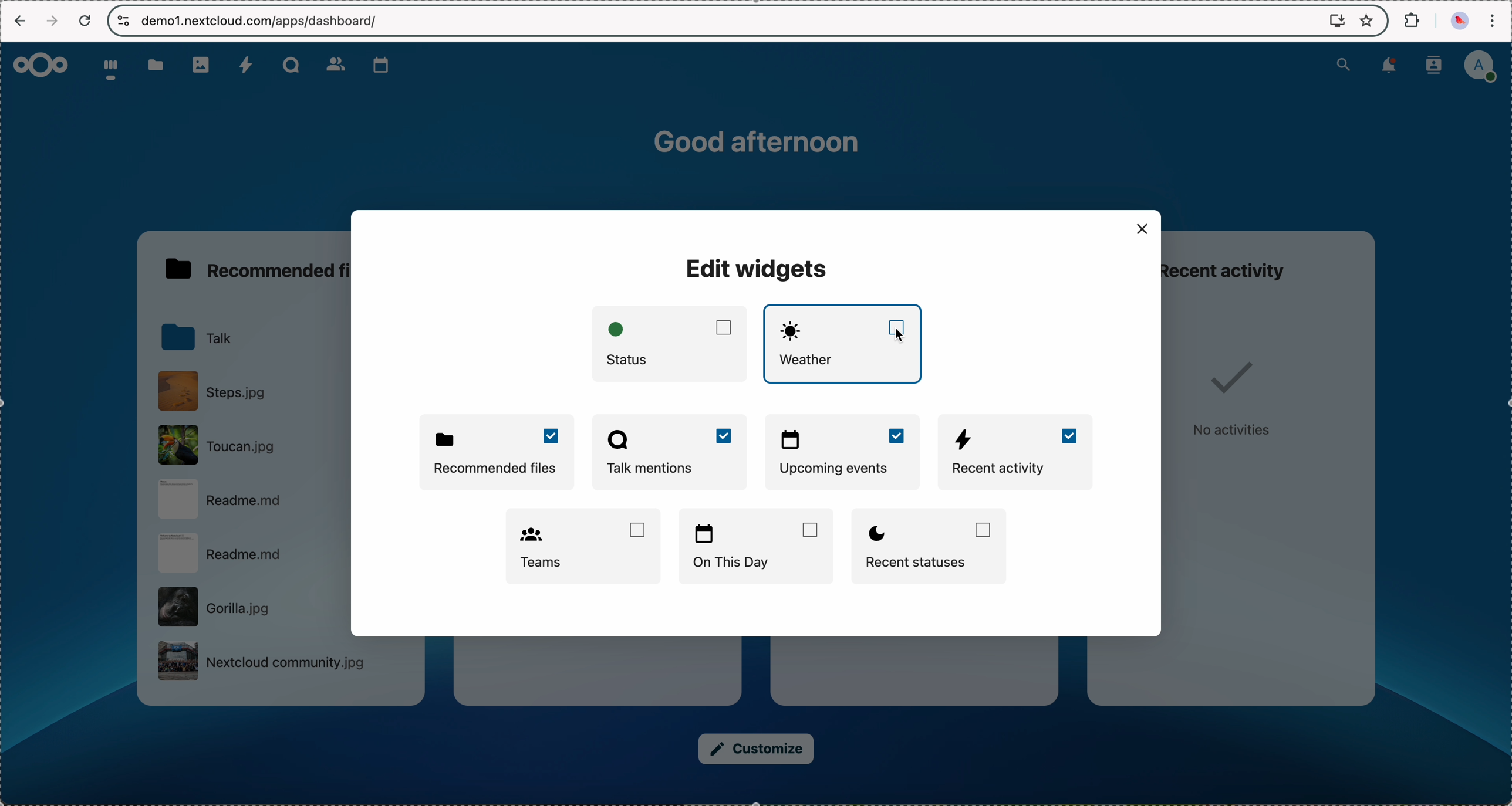  Describe the element at coordinates (1496, 19) in the screenshot. I see `customize and control Google Chrome` at that location.